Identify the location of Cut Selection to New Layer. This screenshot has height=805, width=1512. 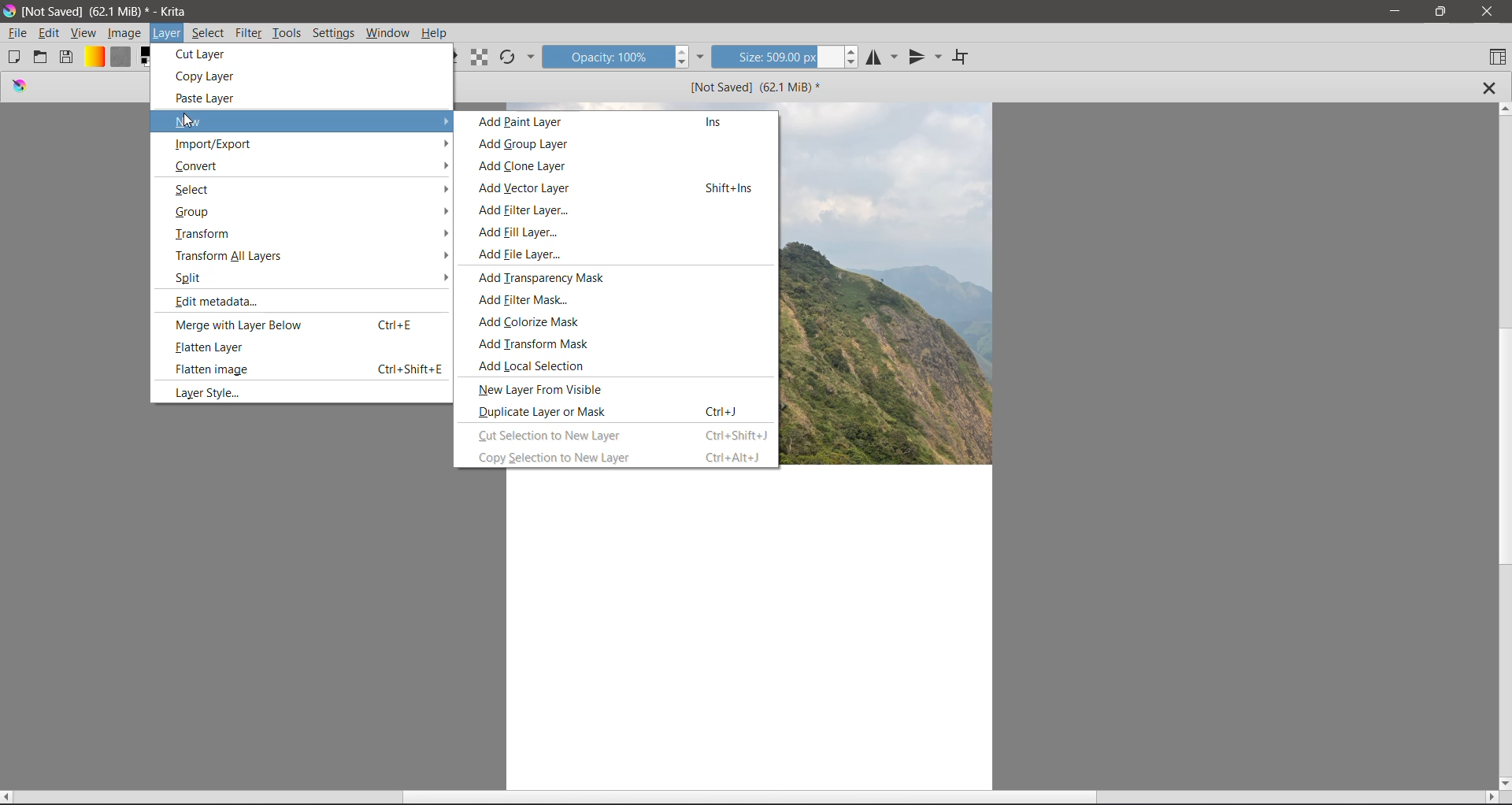
(623, 434).